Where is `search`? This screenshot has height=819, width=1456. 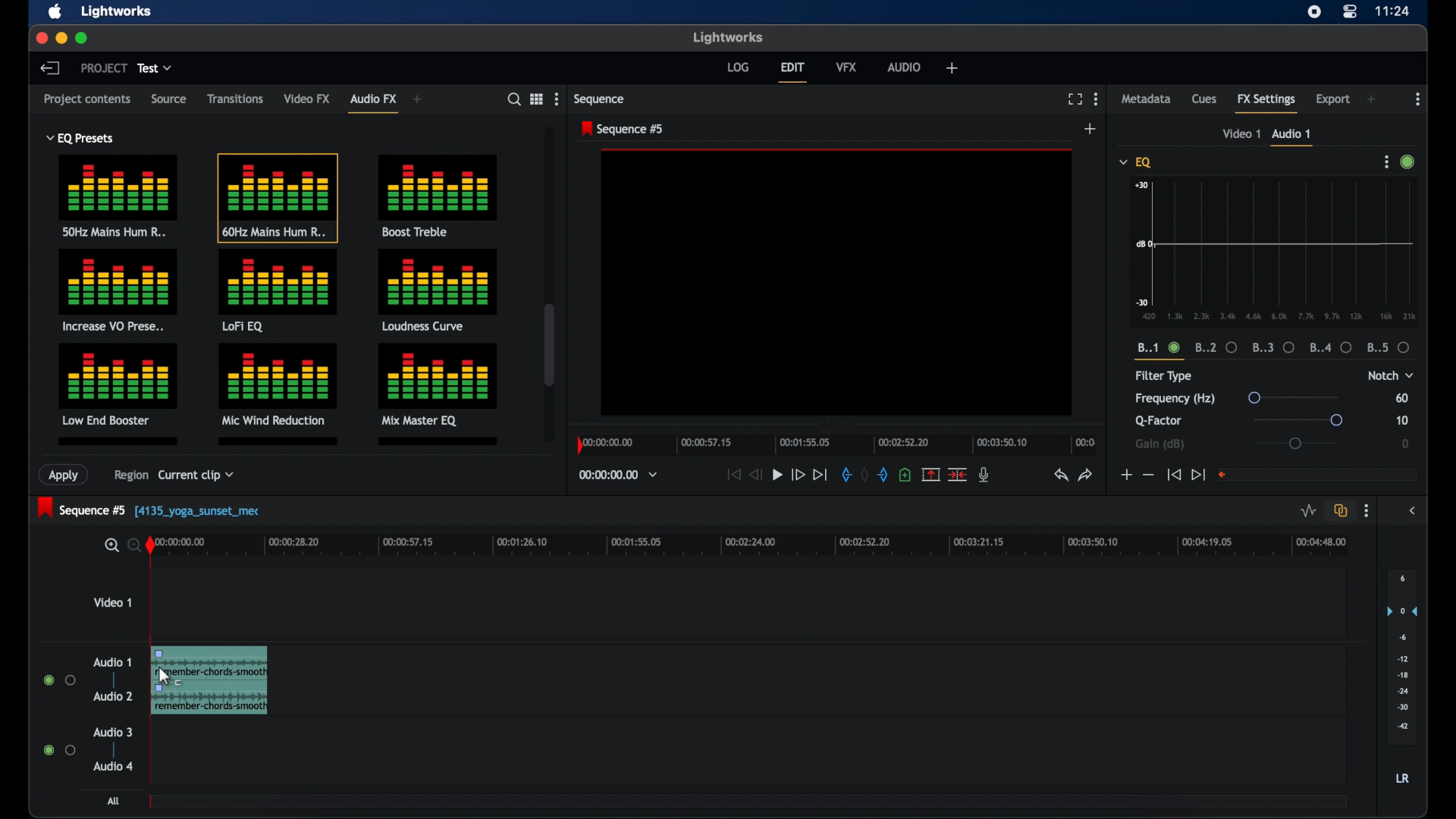
search is located at coordinates (514, 99).